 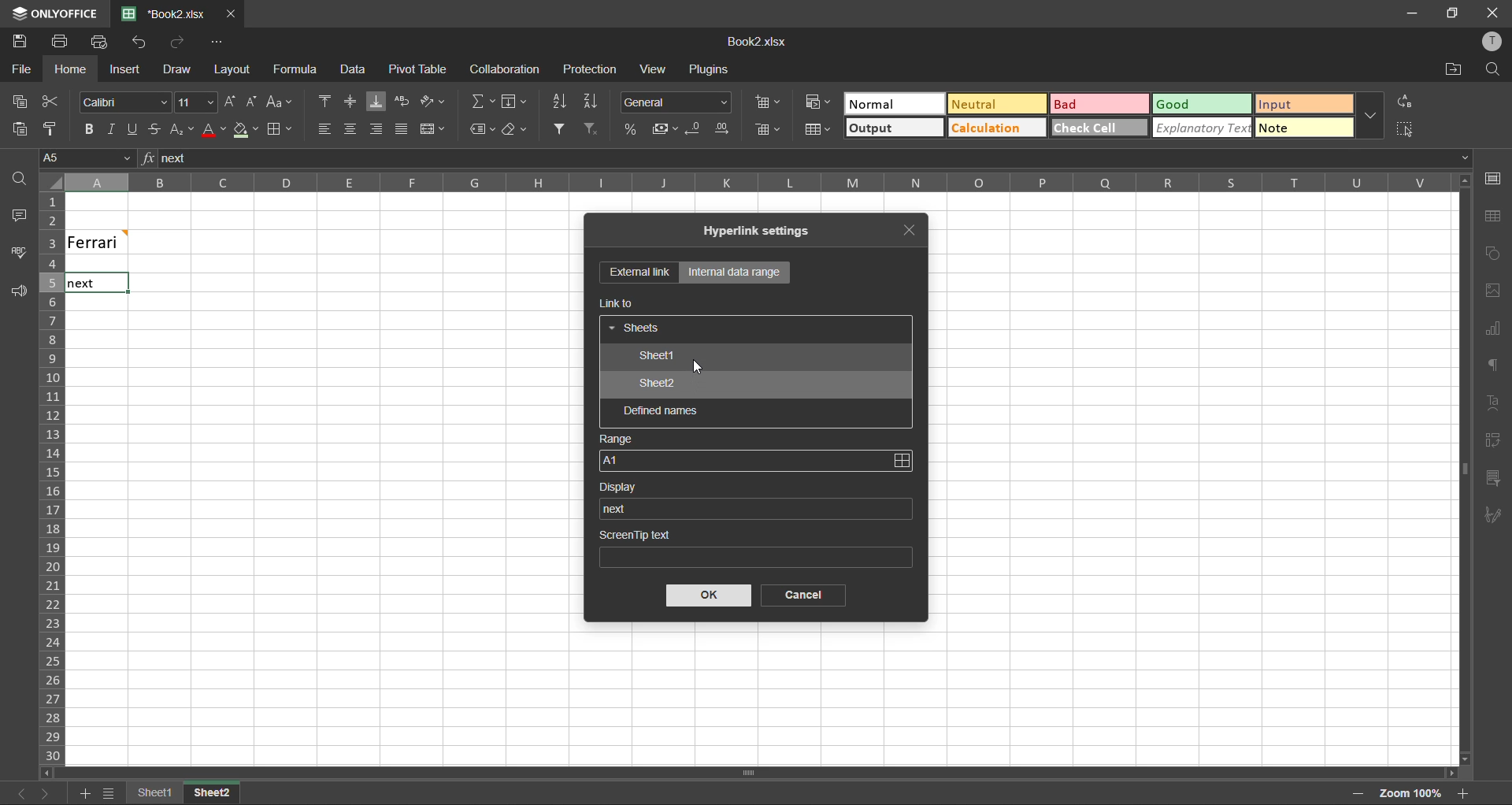 I want to click on more options, so click(x=1372, y=115).